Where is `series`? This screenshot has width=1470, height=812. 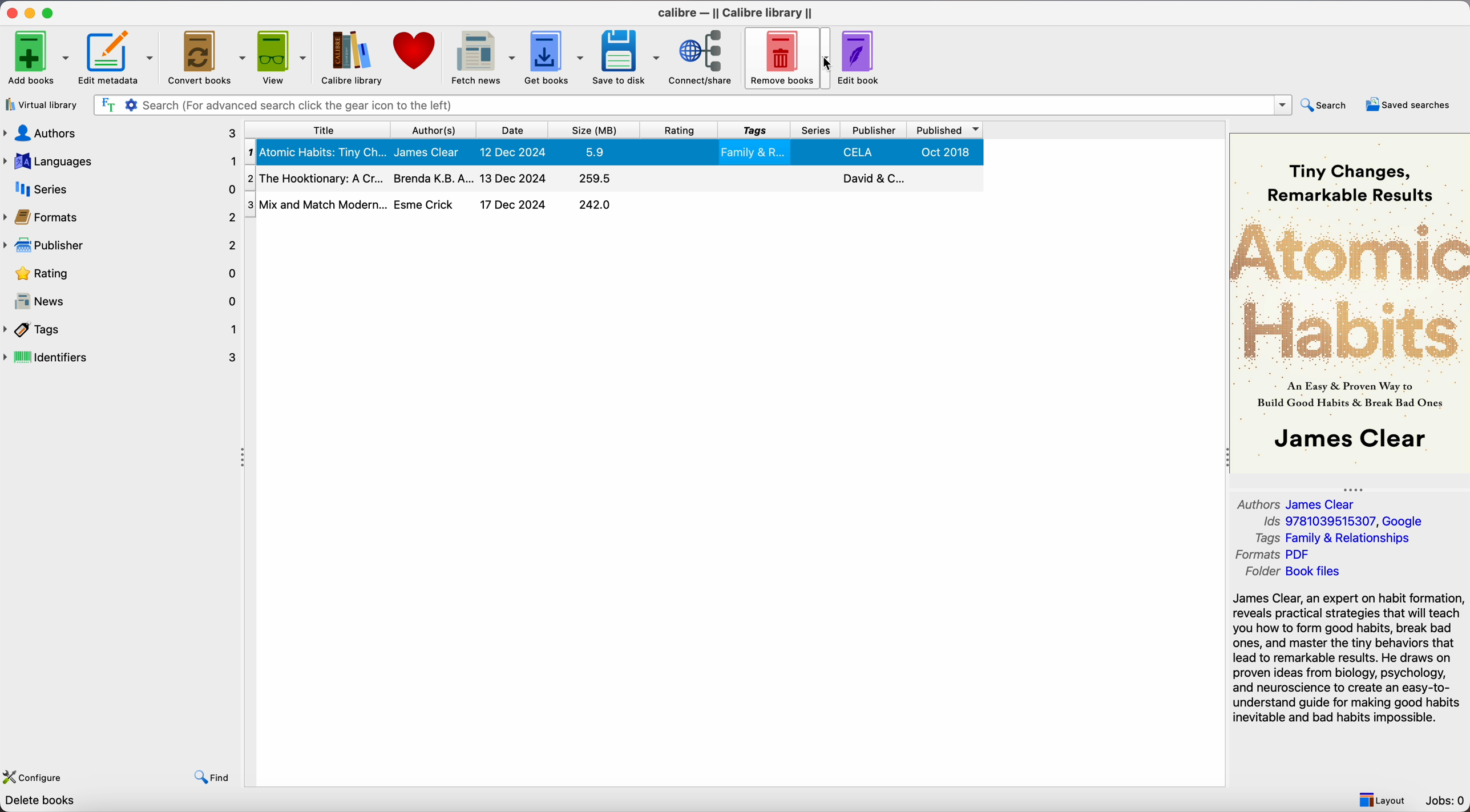 series is located at coordinates (817, 130).